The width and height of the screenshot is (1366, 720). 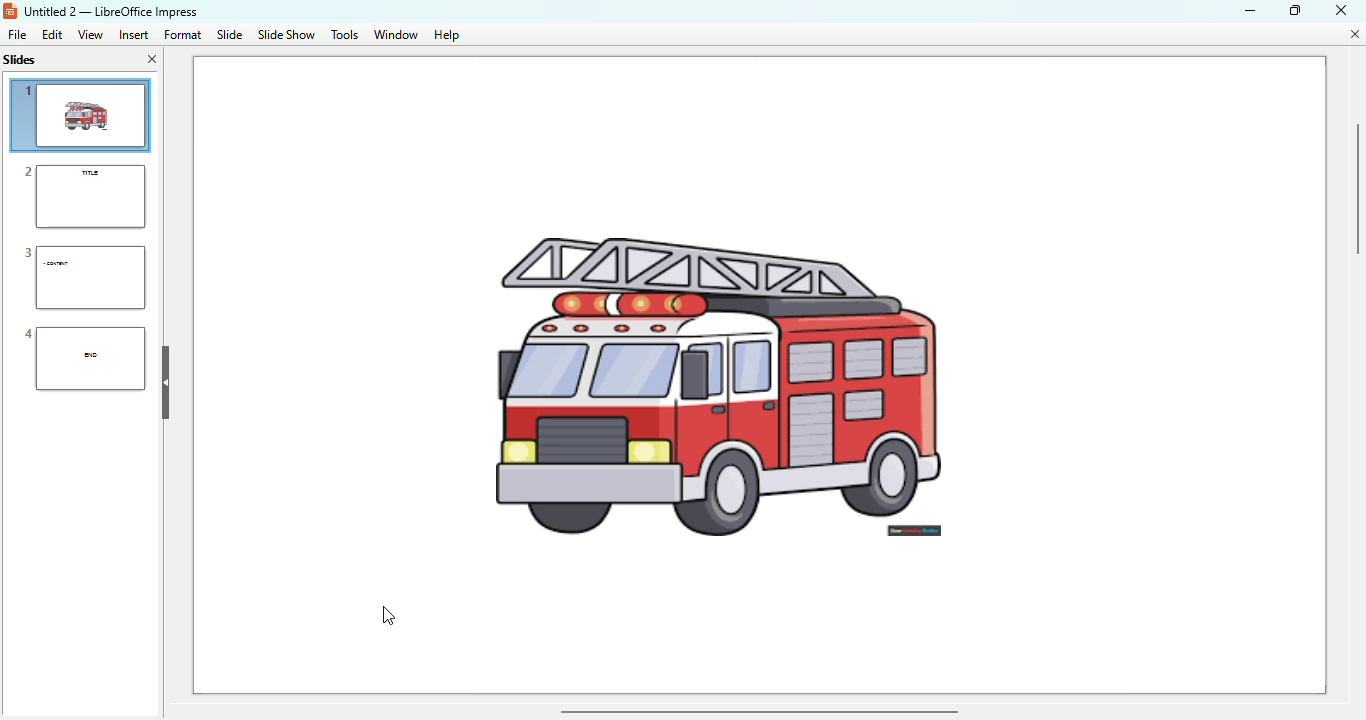 What do you see at coordinates (1295, 9) in the screenshot?
I see `maximize` at bounding box center [1295, 9].